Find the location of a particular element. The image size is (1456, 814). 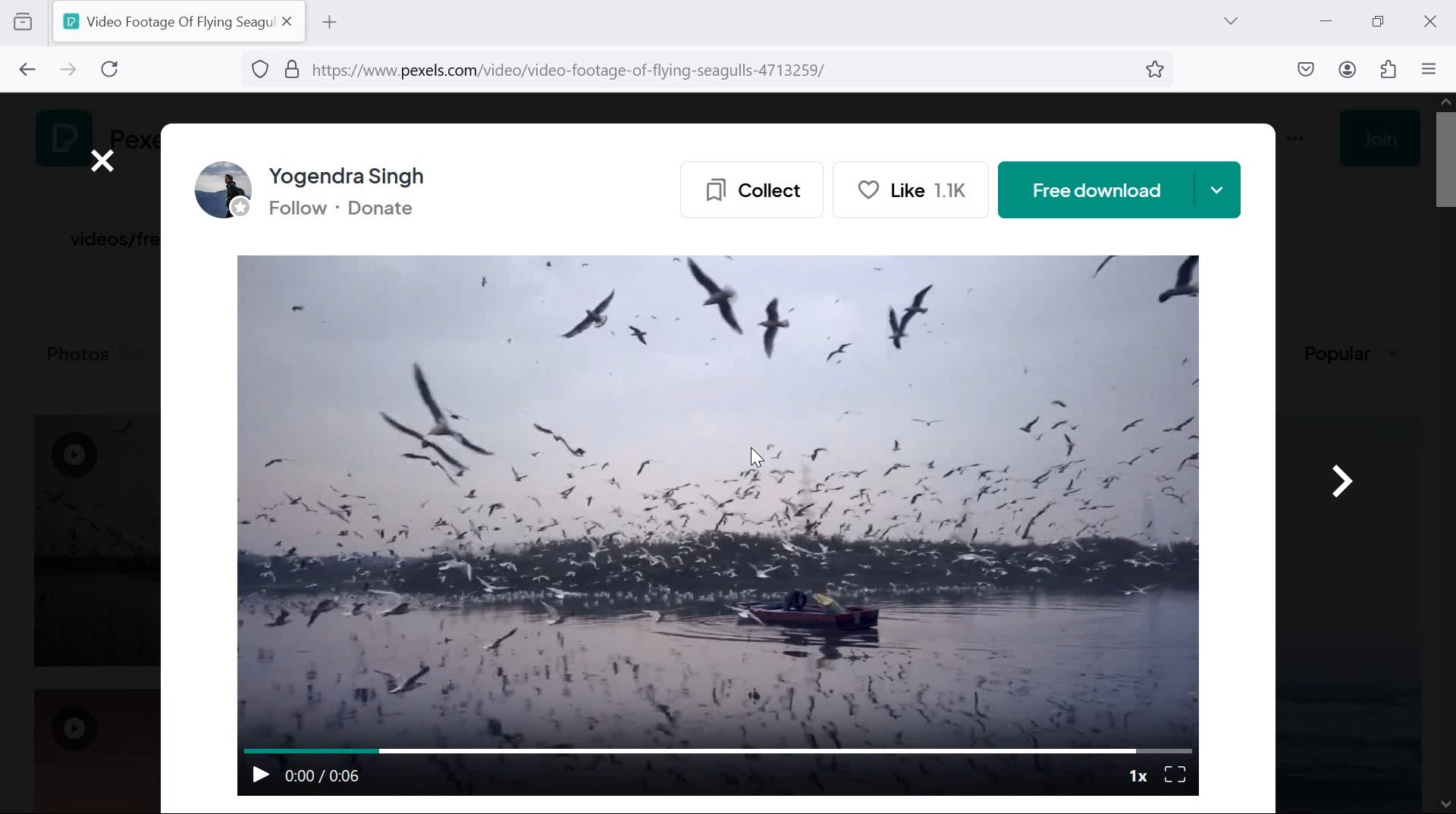

0:00 / 0:06 is located at coordinates (327, 775).